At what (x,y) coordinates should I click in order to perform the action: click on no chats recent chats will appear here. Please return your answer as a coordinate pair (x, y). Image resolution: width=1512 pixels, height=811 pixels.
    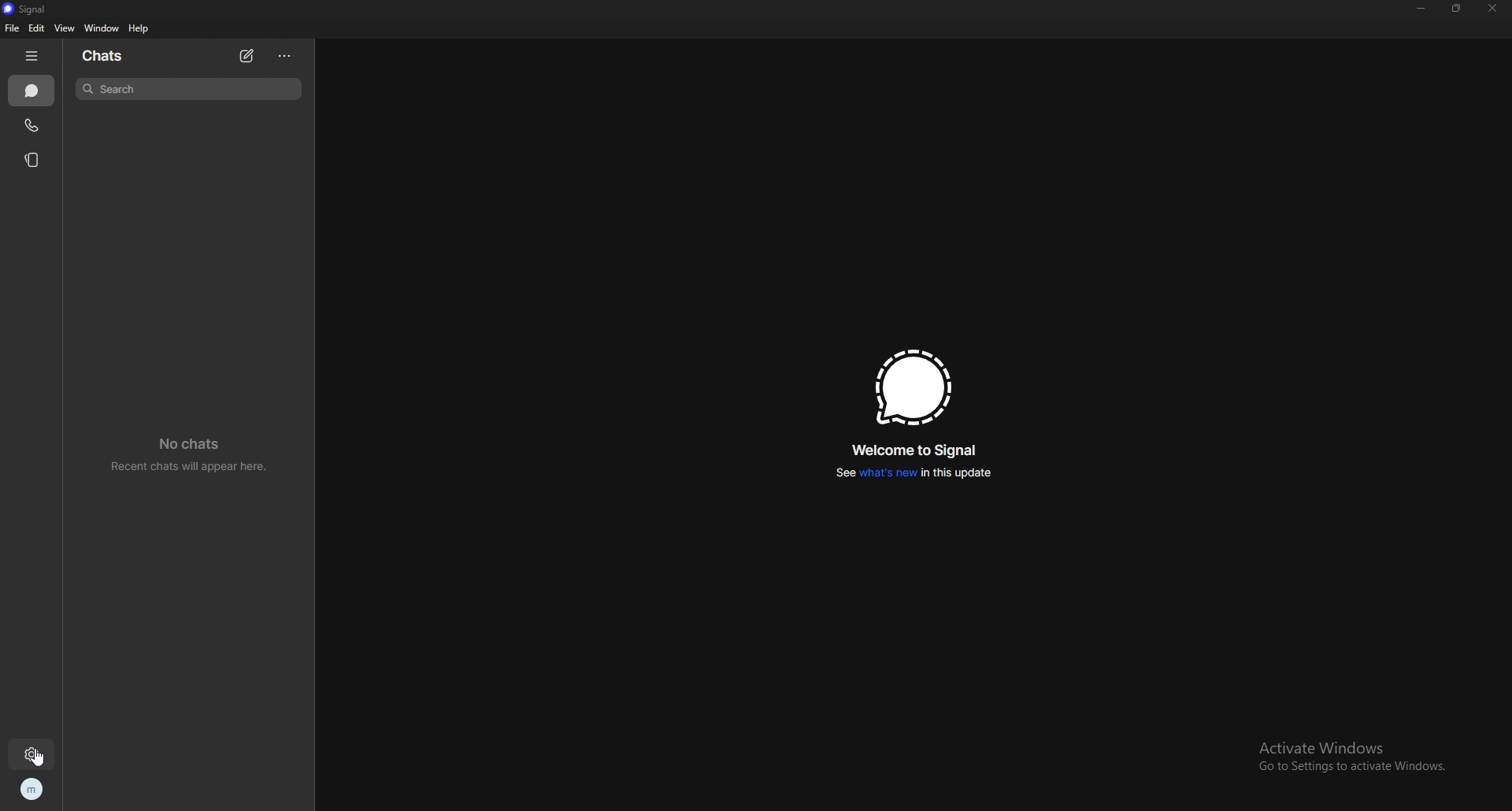
    Looking at the image, I should click on (195, 455).